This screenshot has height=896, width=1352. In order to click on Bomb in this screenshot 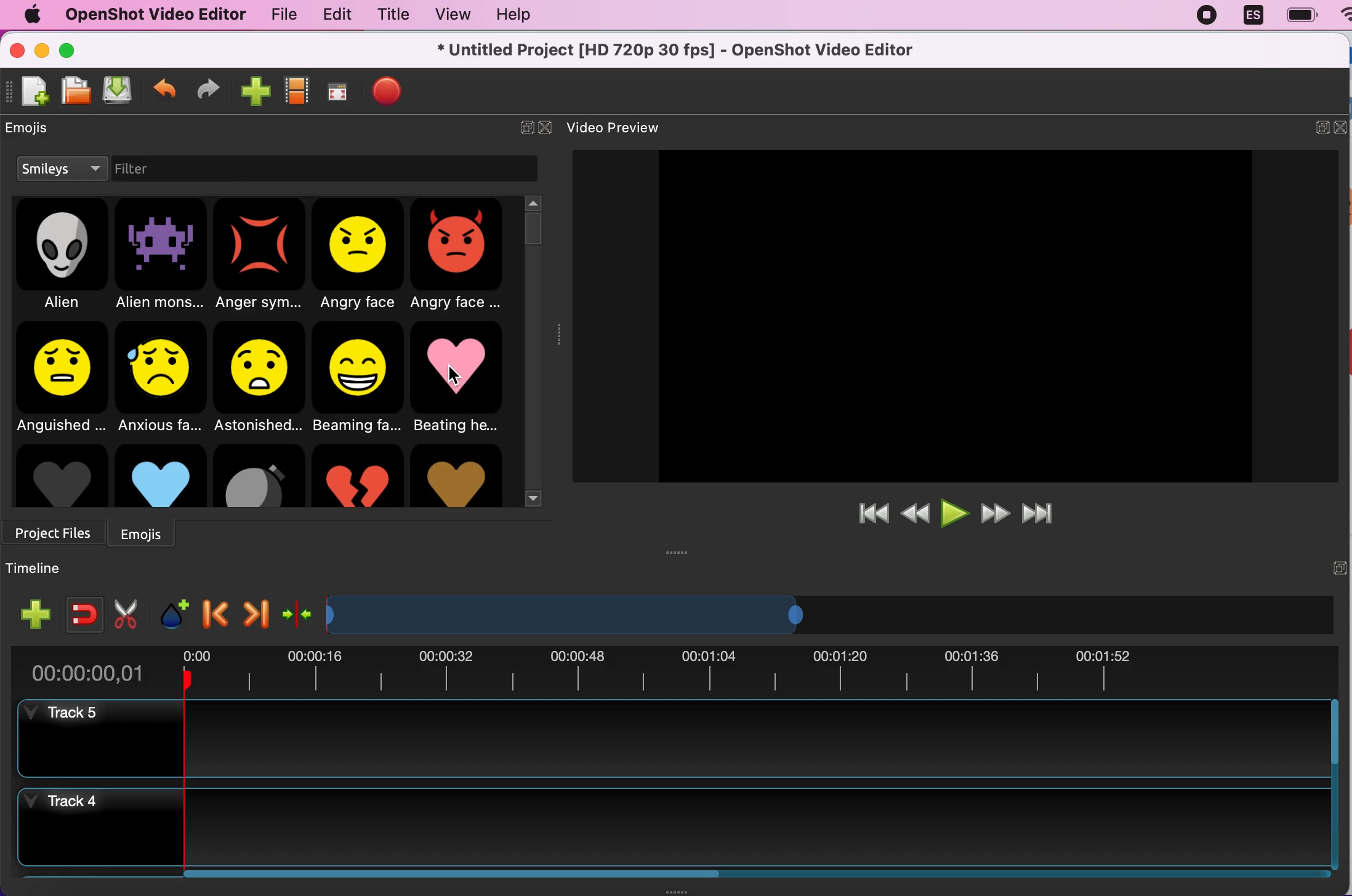, I will do `click(259, 476)`.